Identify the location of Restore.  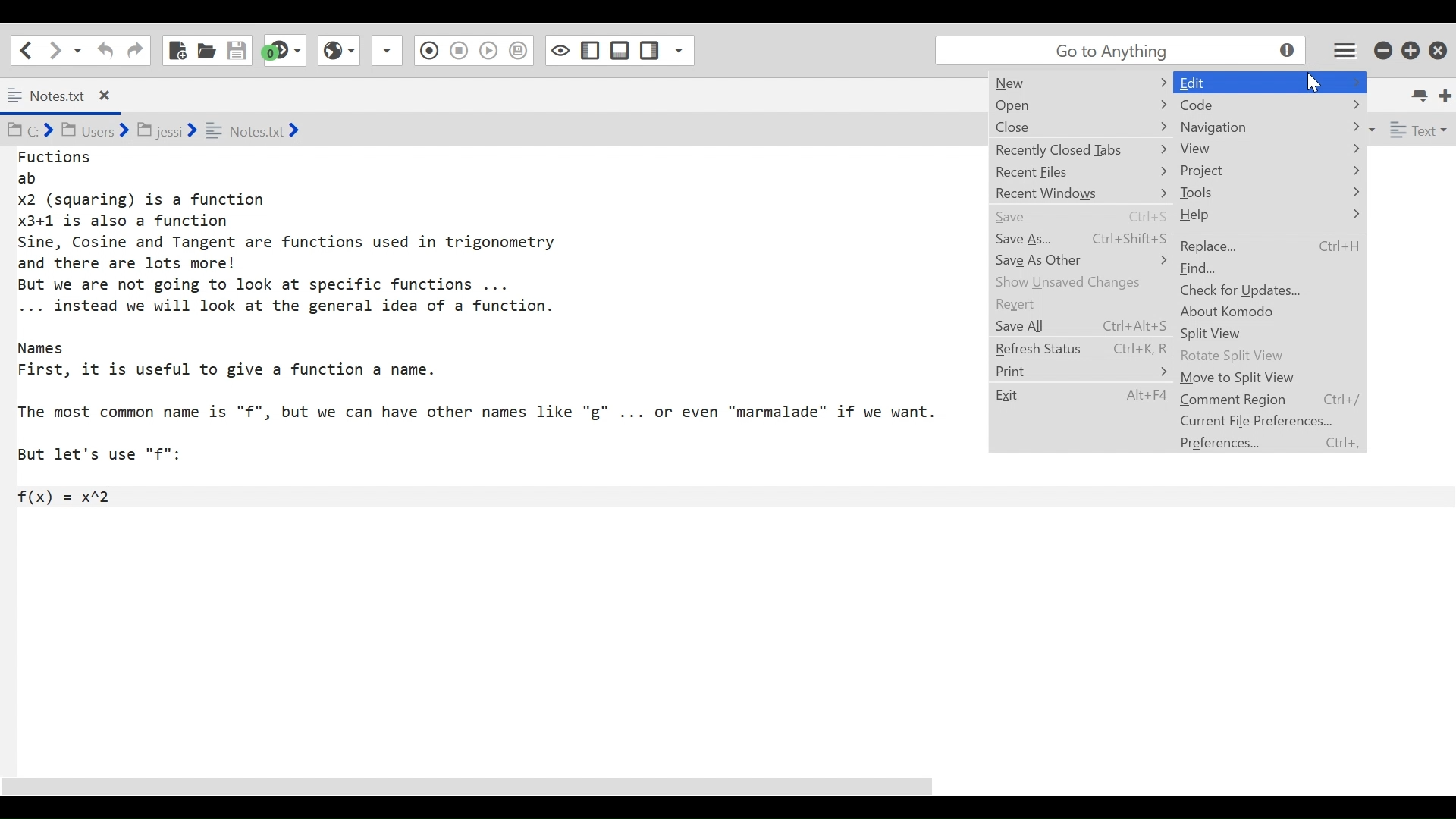
(1411, 49).